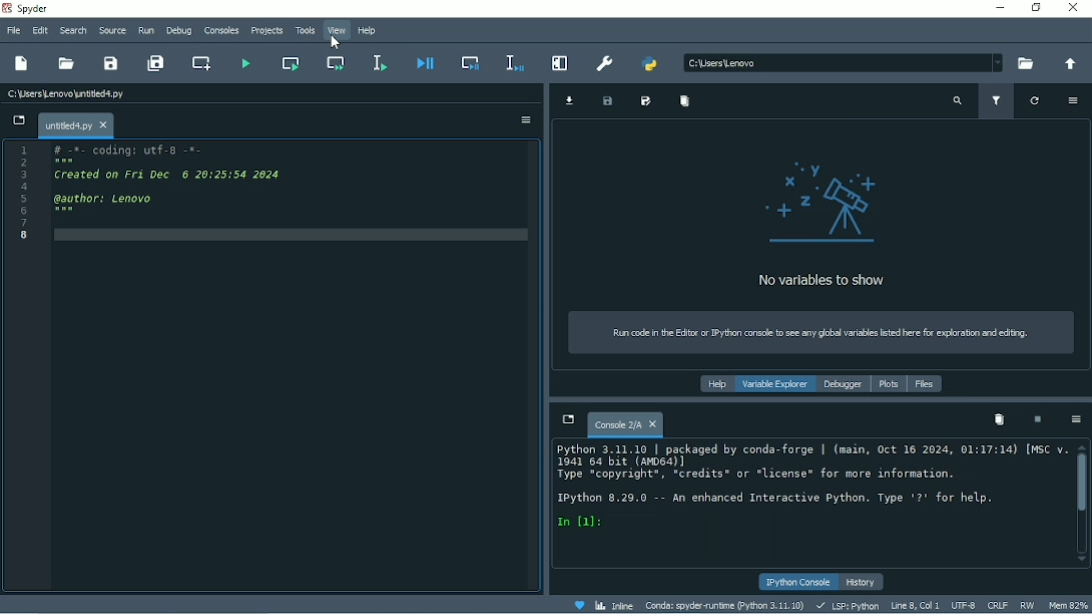  What do you see at coordinates (999, 8) in the screenshot?
I see `Minimize` at bounding box center [999, 8].